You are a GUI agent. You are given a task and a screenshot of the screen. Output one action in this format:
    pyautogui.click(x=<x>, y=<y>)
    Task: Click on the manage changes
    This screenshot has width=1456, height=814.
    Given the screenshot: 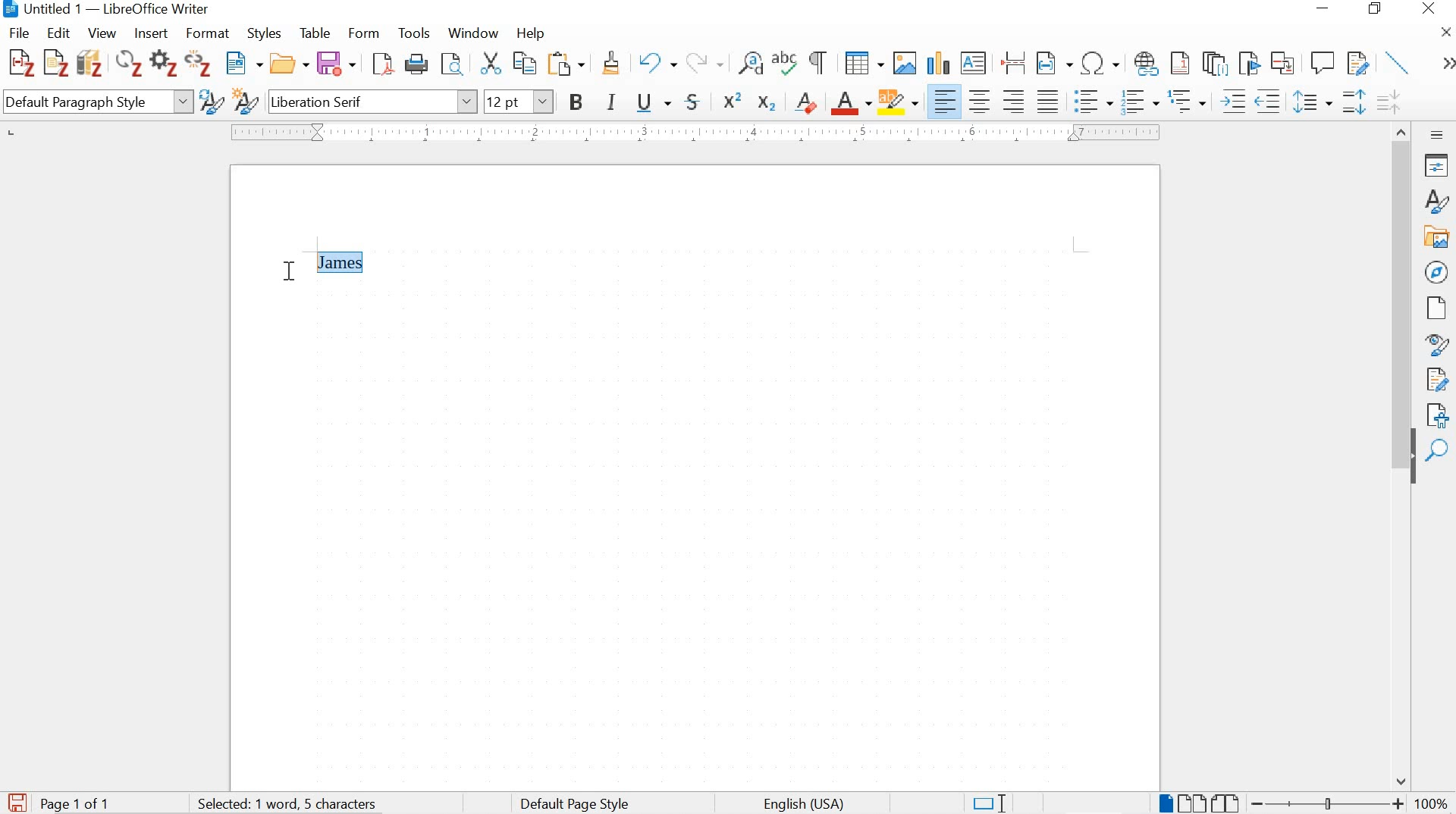 What is the action you would take?
    pyautogui.click(x=1437, y=381)
    